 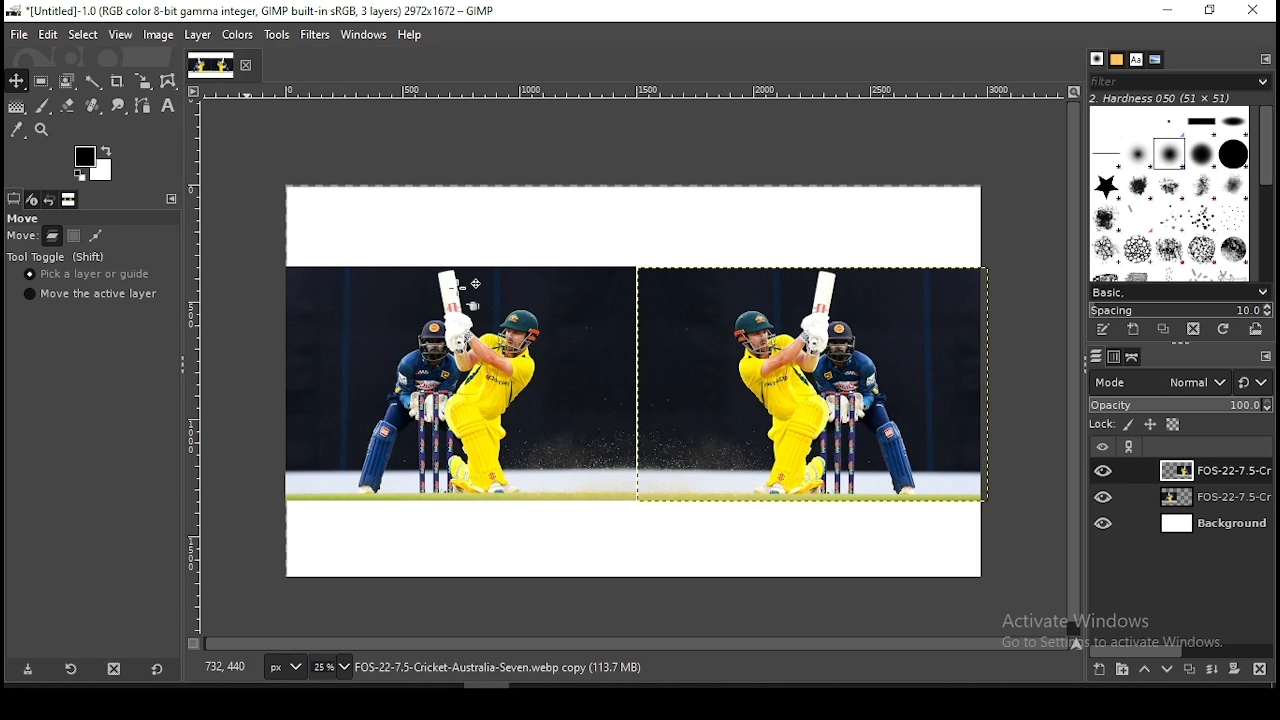 What do you see at coordinates (196, 366) in the screenshot?
I see `scale` at bounding box center [196, 366].